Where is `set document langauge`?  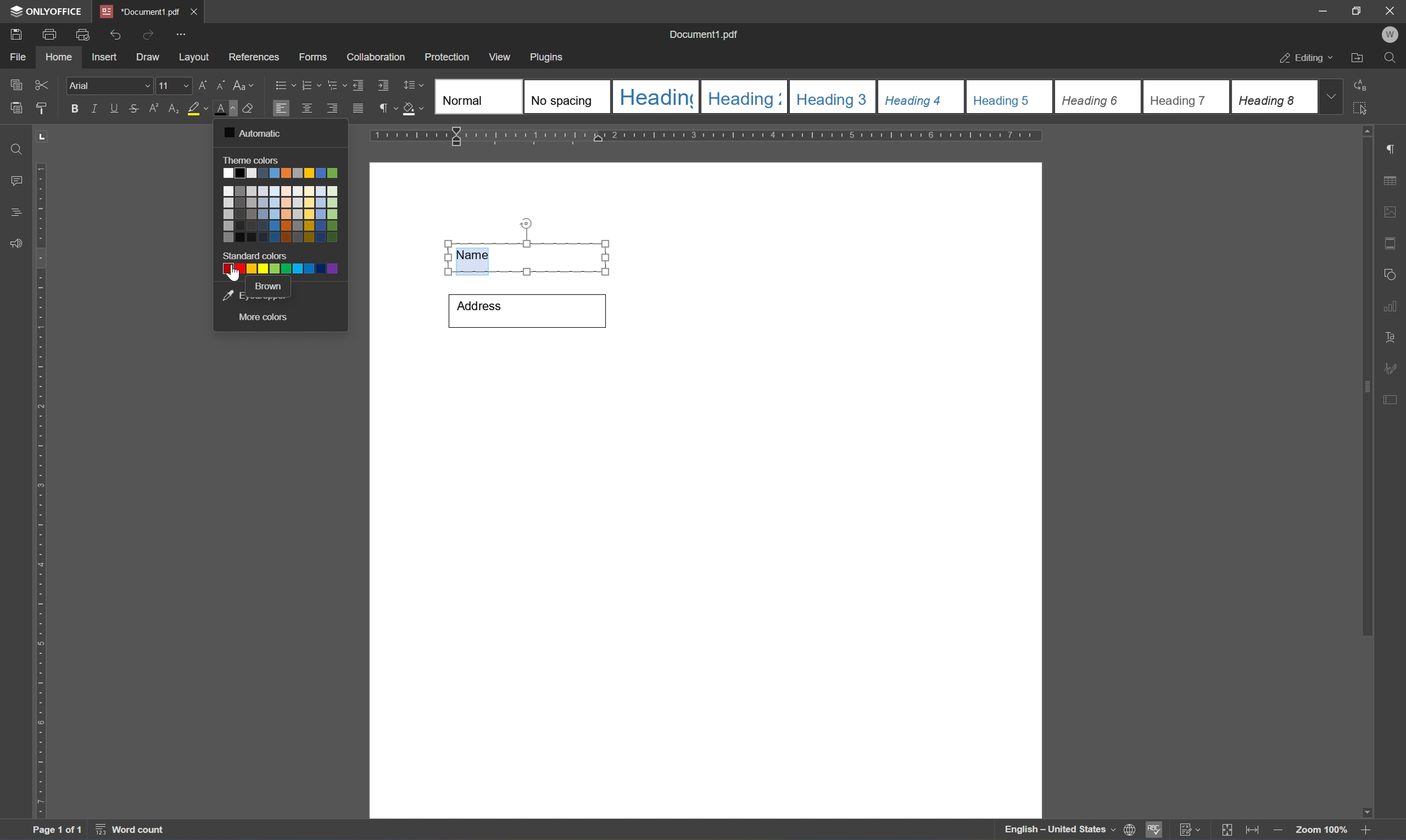
set document langauge is located at coordinates (1130, 830).